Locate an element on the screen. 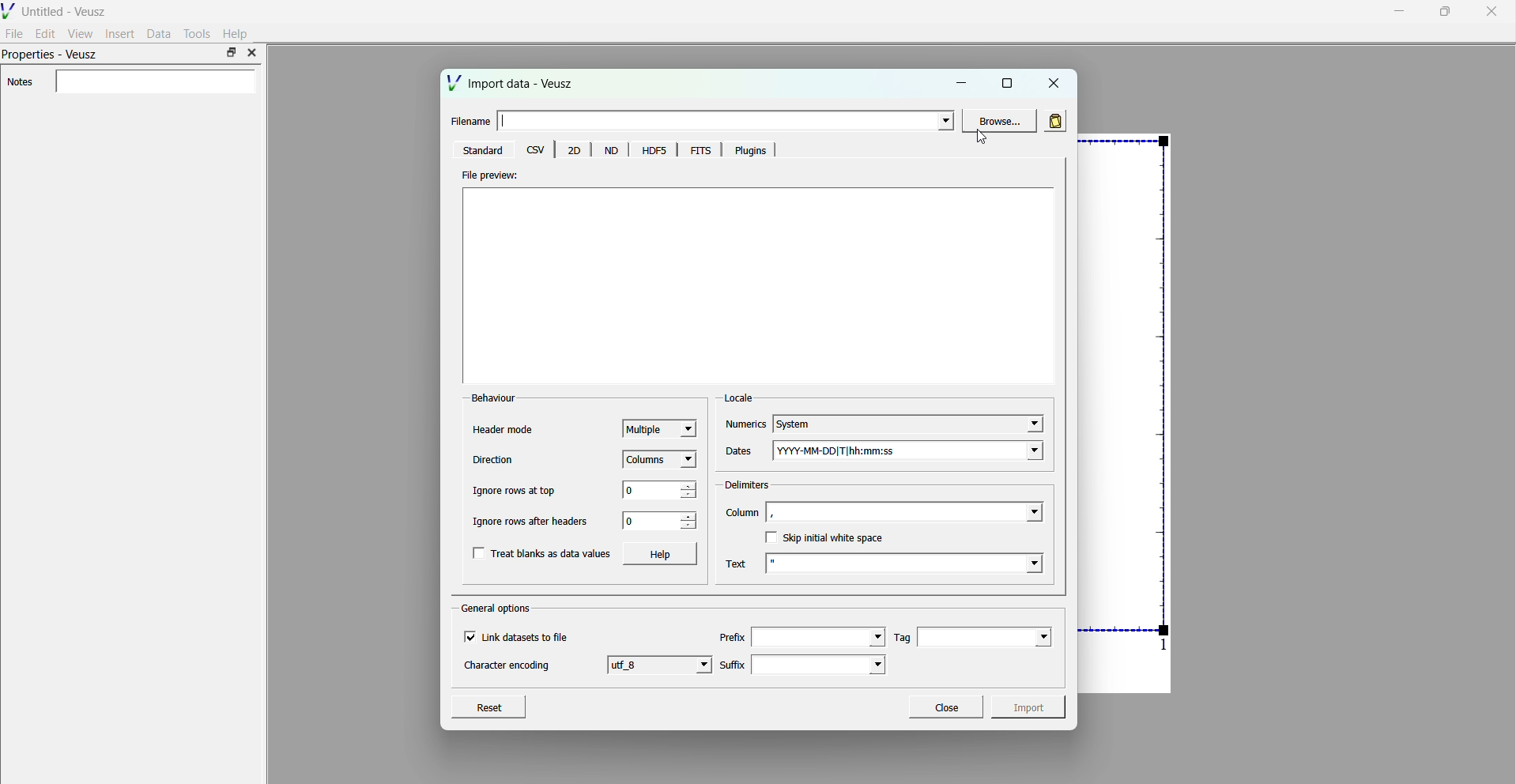 This screenshot has height=784, width=1516. minimise is located at coordinates (1400, 10).